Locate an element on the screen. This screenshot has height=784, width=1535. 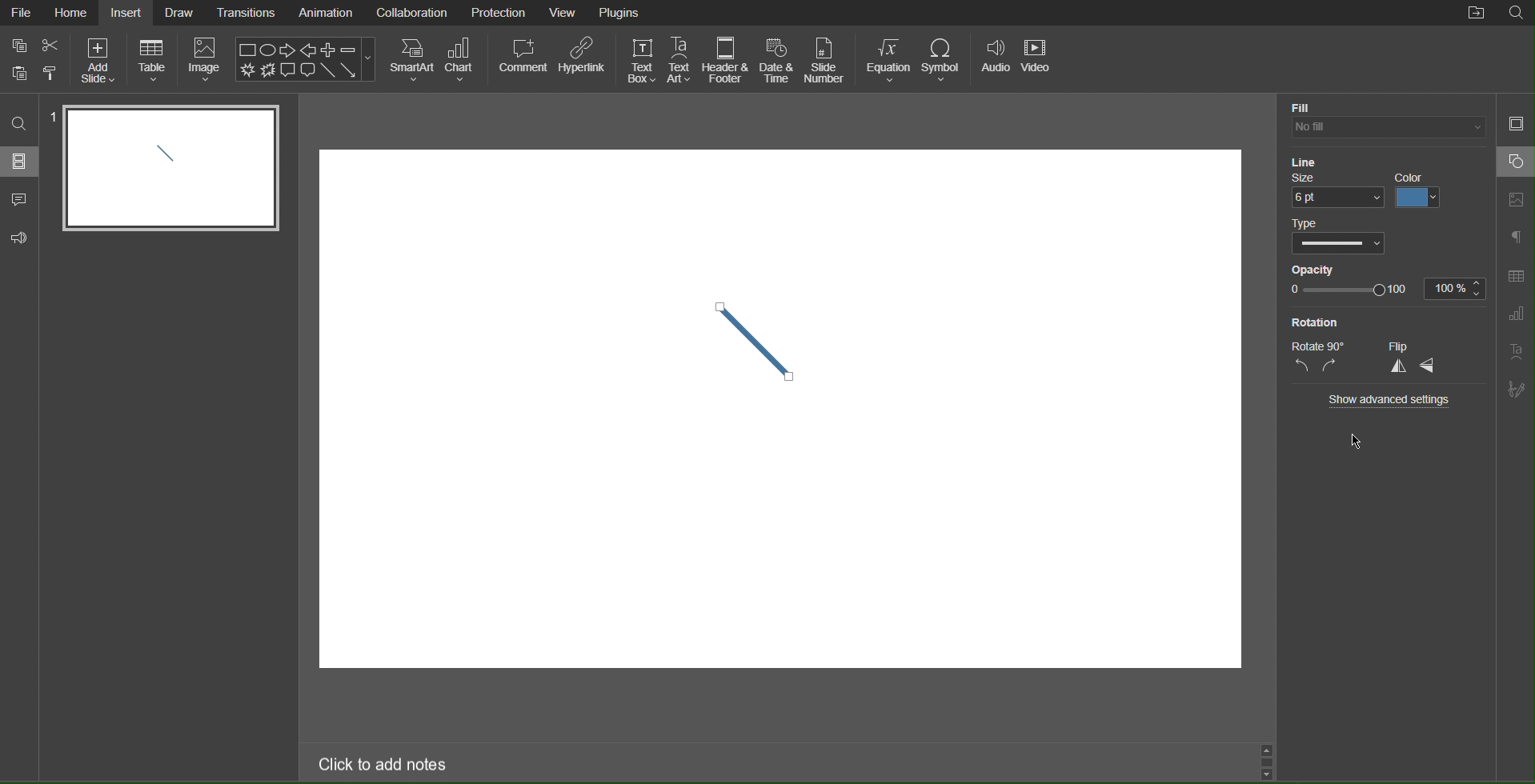
Paste is located at coordinates (16, 72).